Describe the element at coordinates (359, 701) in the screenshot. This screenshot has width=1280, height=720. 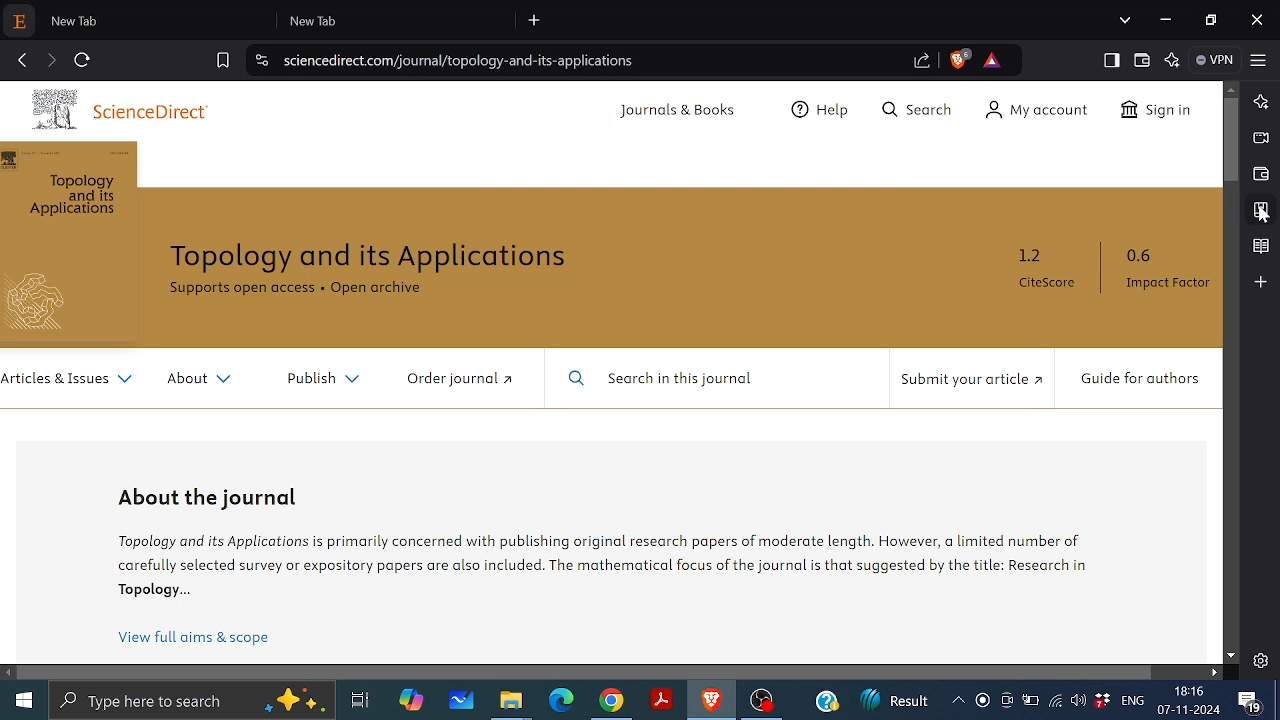
I see `Task view` at that location.